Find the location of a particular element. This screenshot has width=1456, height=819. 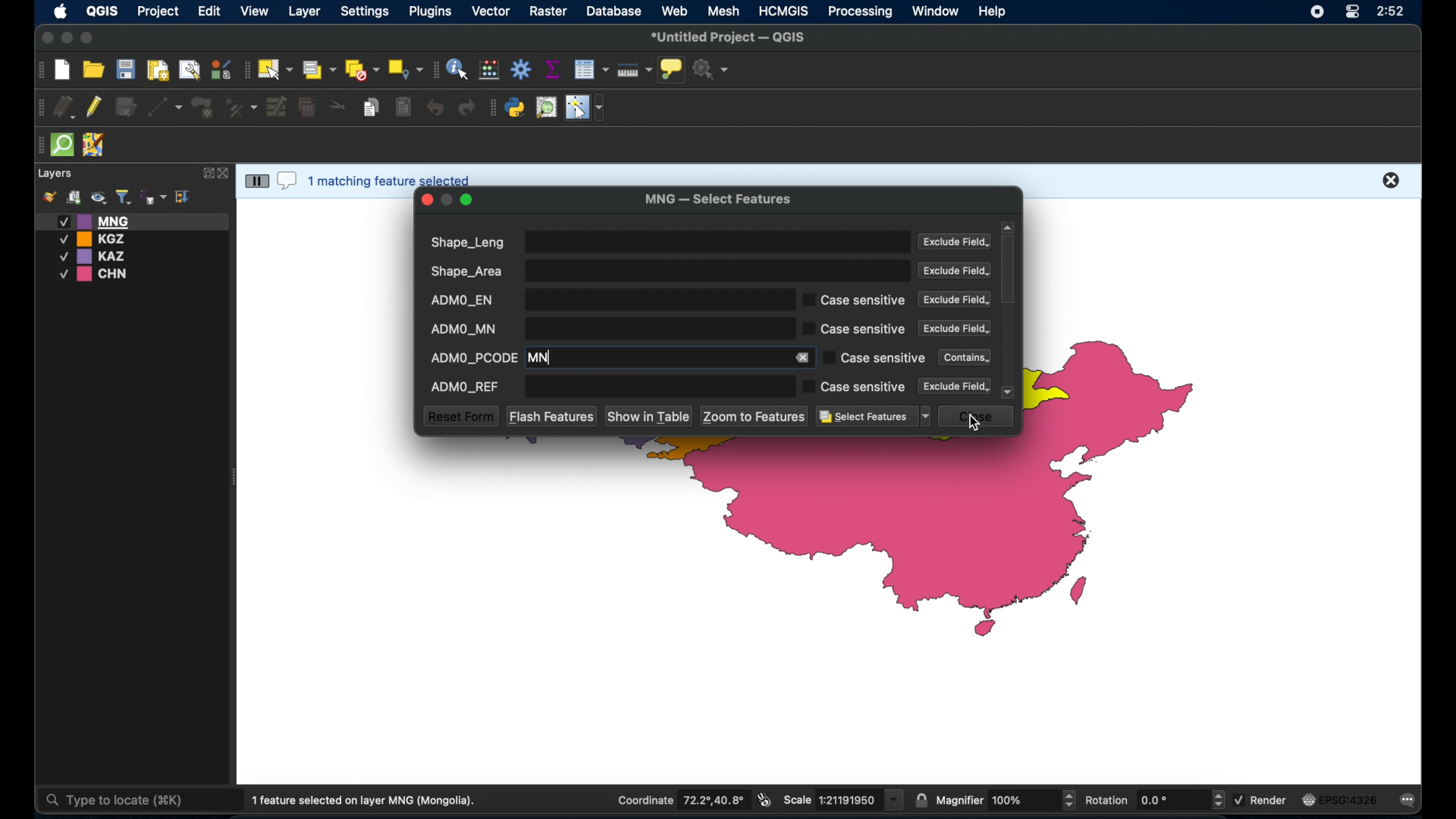

Exclude field is located at coordinates (953, 300).